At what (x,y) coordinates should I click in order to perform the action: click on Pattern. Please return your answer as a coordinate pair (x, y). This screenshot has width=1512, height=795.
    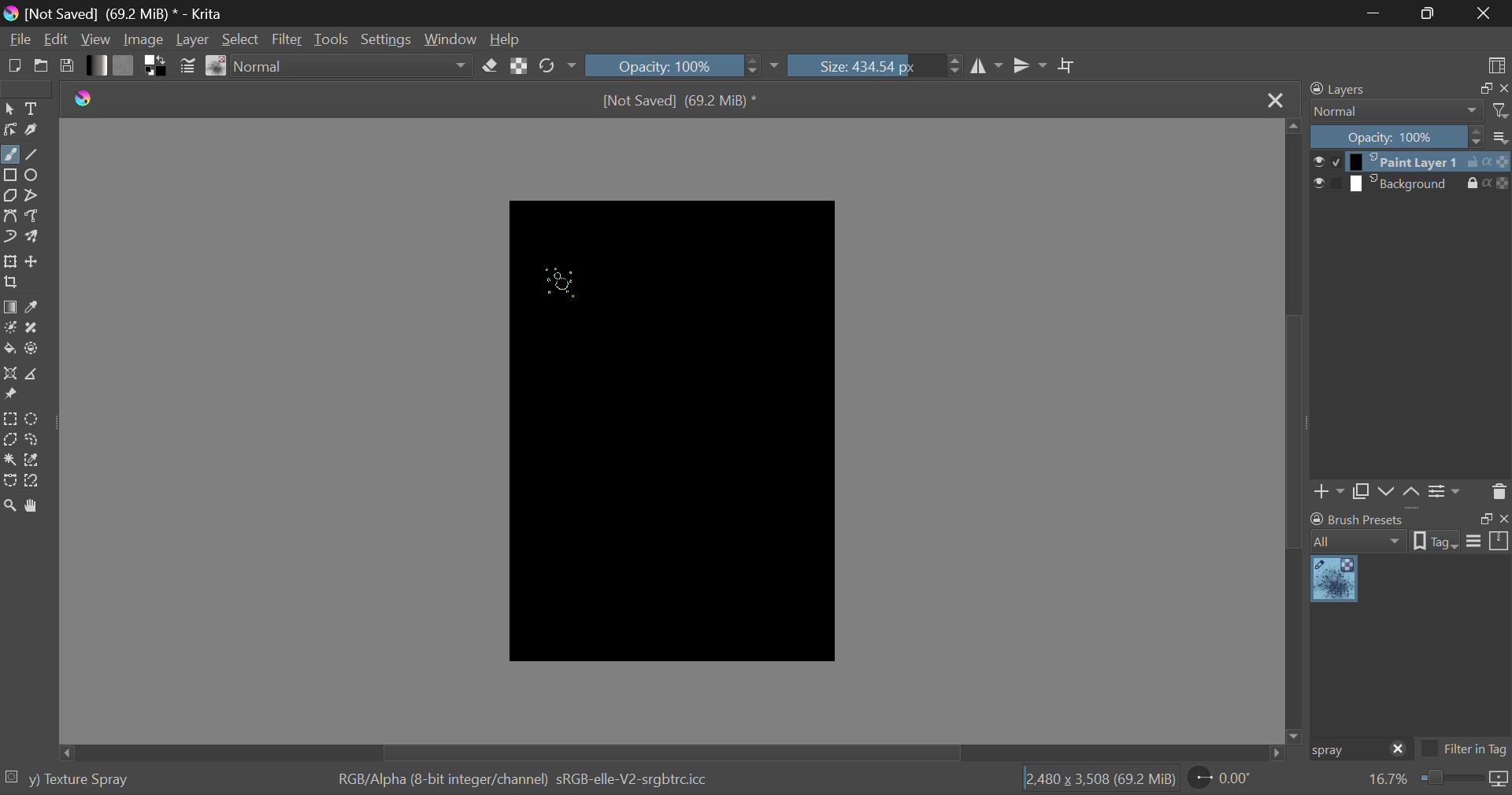
    Looking at the image, I should click on (124, 65).